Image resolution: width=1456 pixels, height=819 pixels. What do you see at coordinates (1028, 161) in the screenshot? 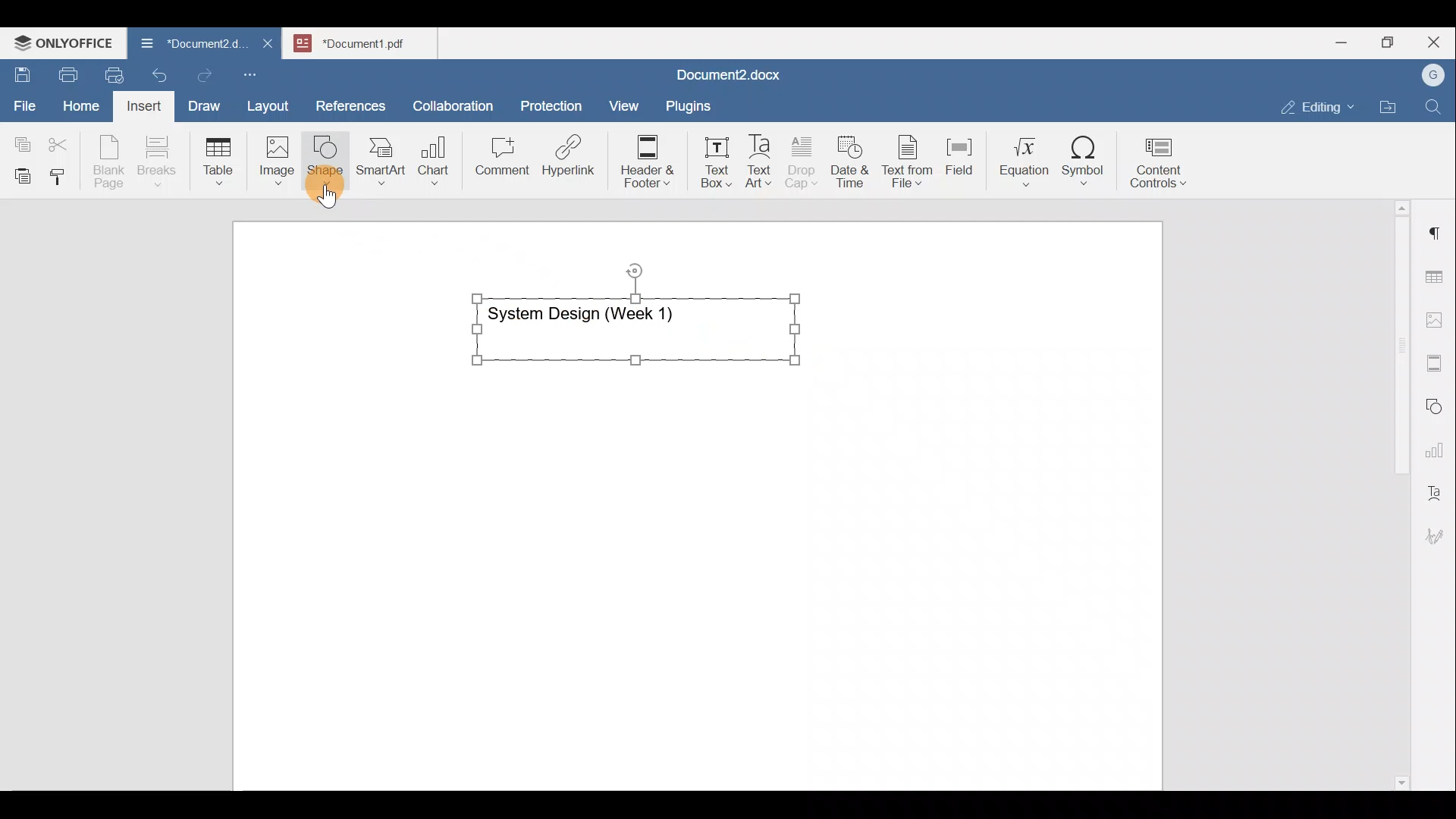
I see `Equation` at bounding box center [1028, 161].